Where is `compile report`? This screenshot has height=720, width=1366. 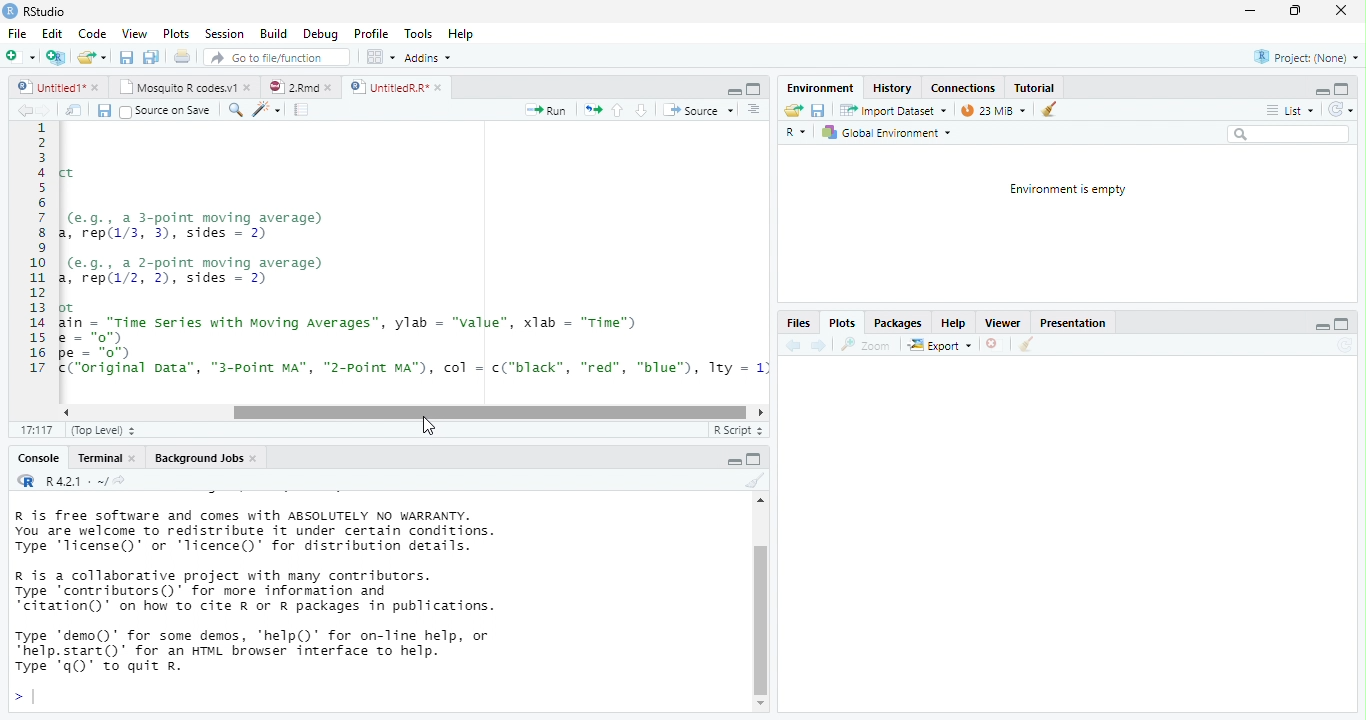 compile report is located at coordinates (303, 109).